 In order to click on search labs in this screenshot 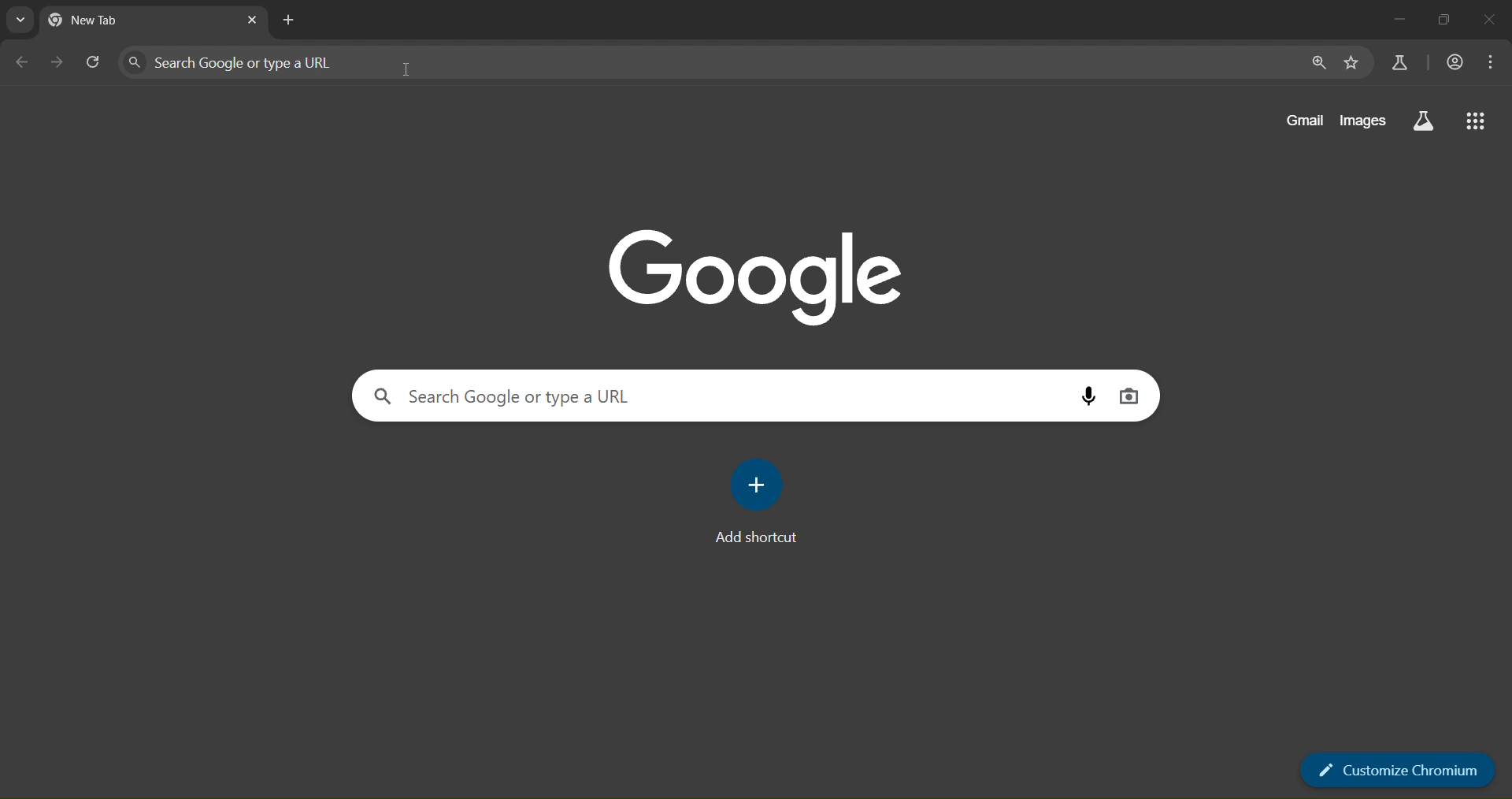, I will do `click(1424, 121)`.